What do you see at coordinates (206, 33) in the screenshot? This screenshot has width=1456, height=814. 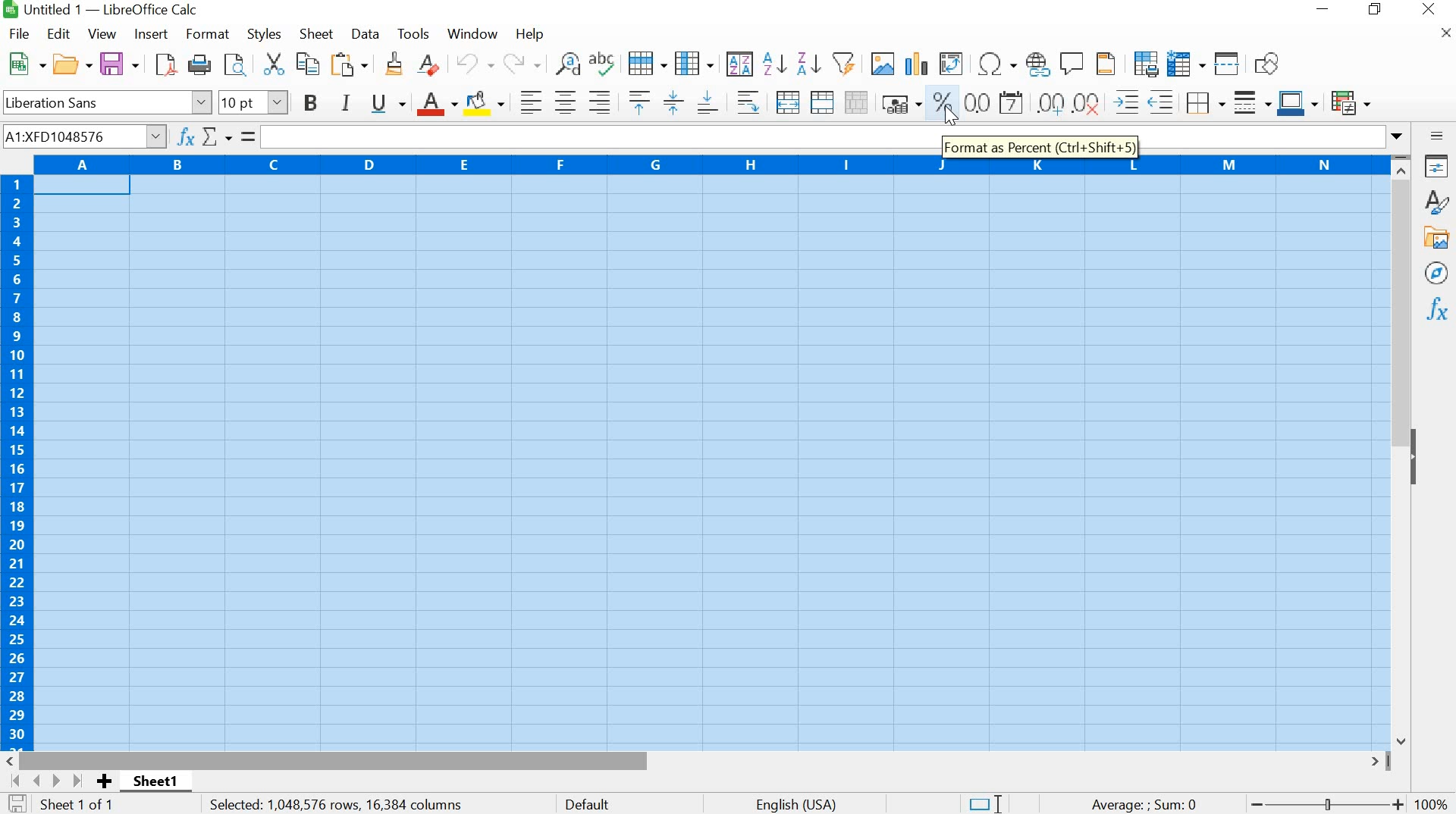 I see `FORMAT` at bounding box center [206, 33].